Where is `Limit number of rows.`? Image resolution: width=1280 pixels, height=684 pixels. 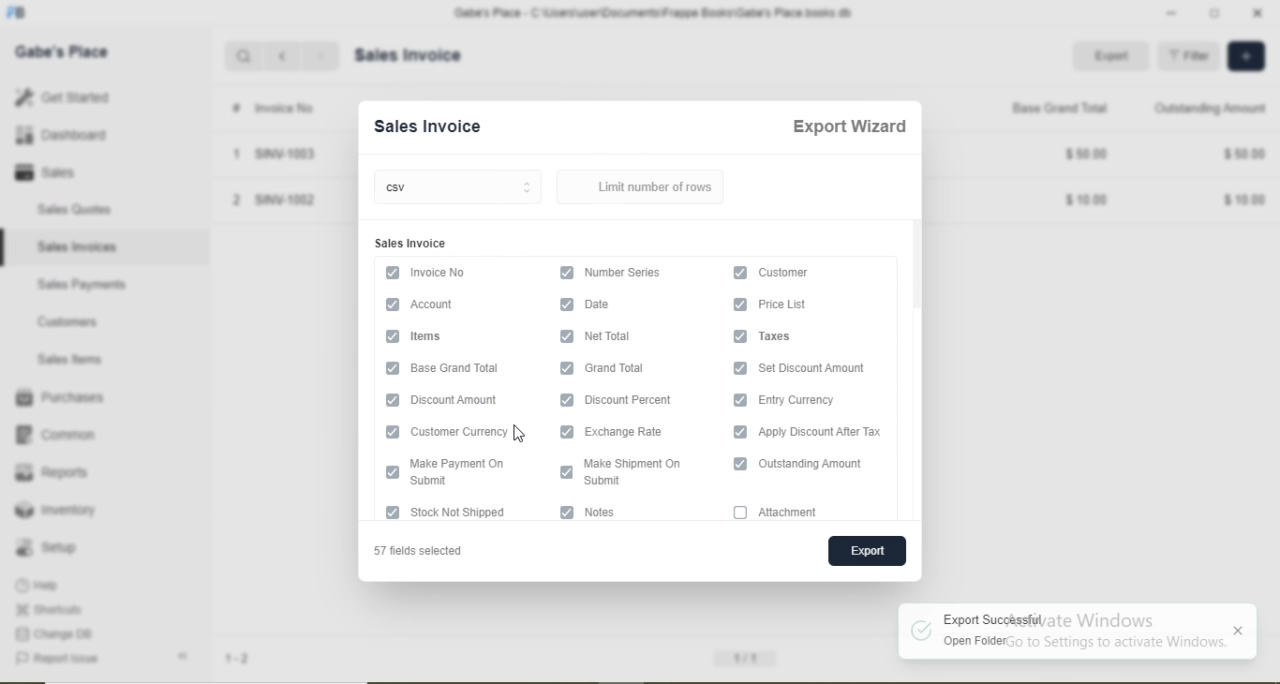
Limit number of rows. is located at coordinates (650, 187).